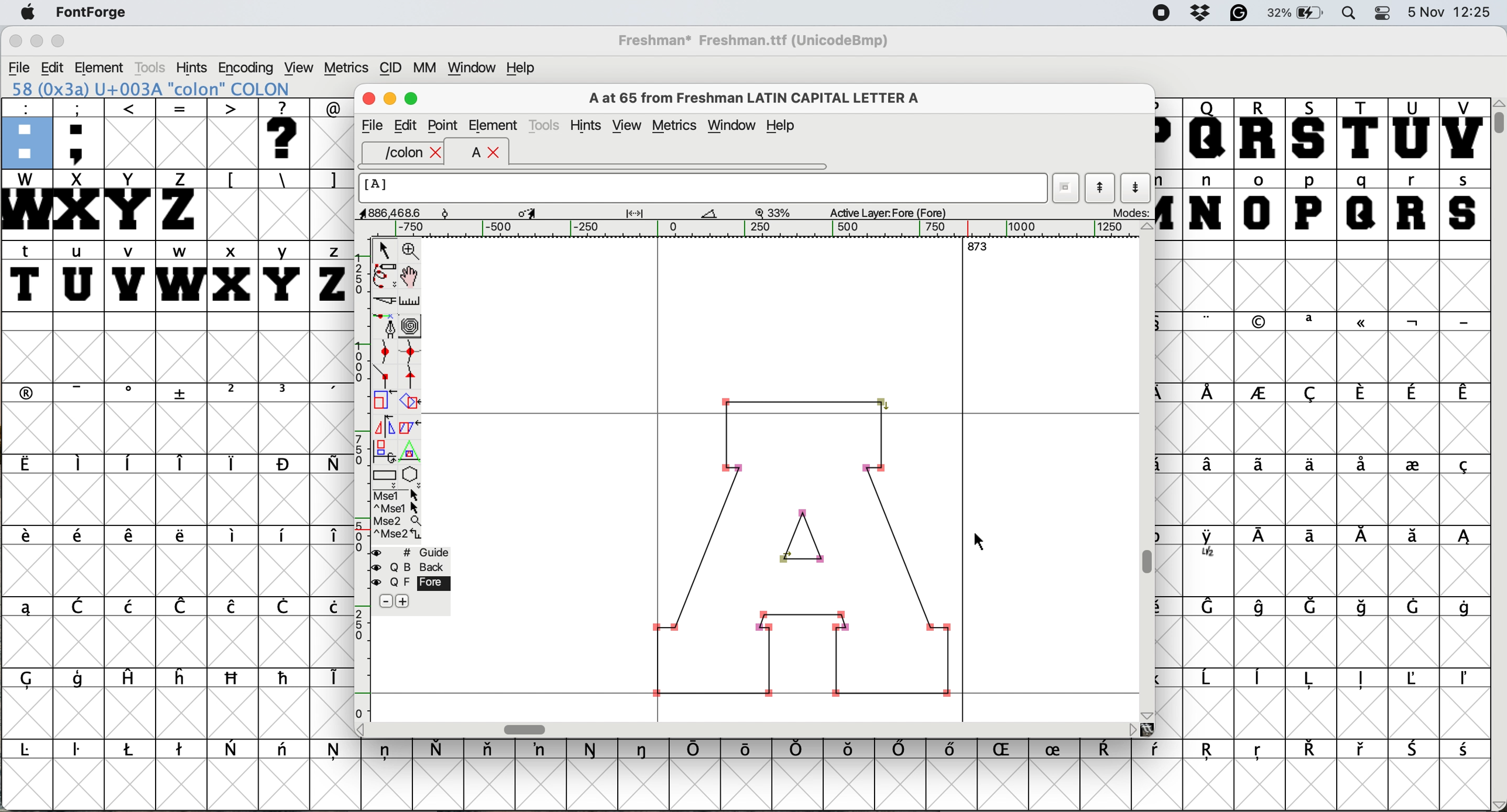 The image size is (1507, 812). What do you see at coordinates (645, 749) in the screenshot?
I see `symbol` at bounding box center [645, 749].